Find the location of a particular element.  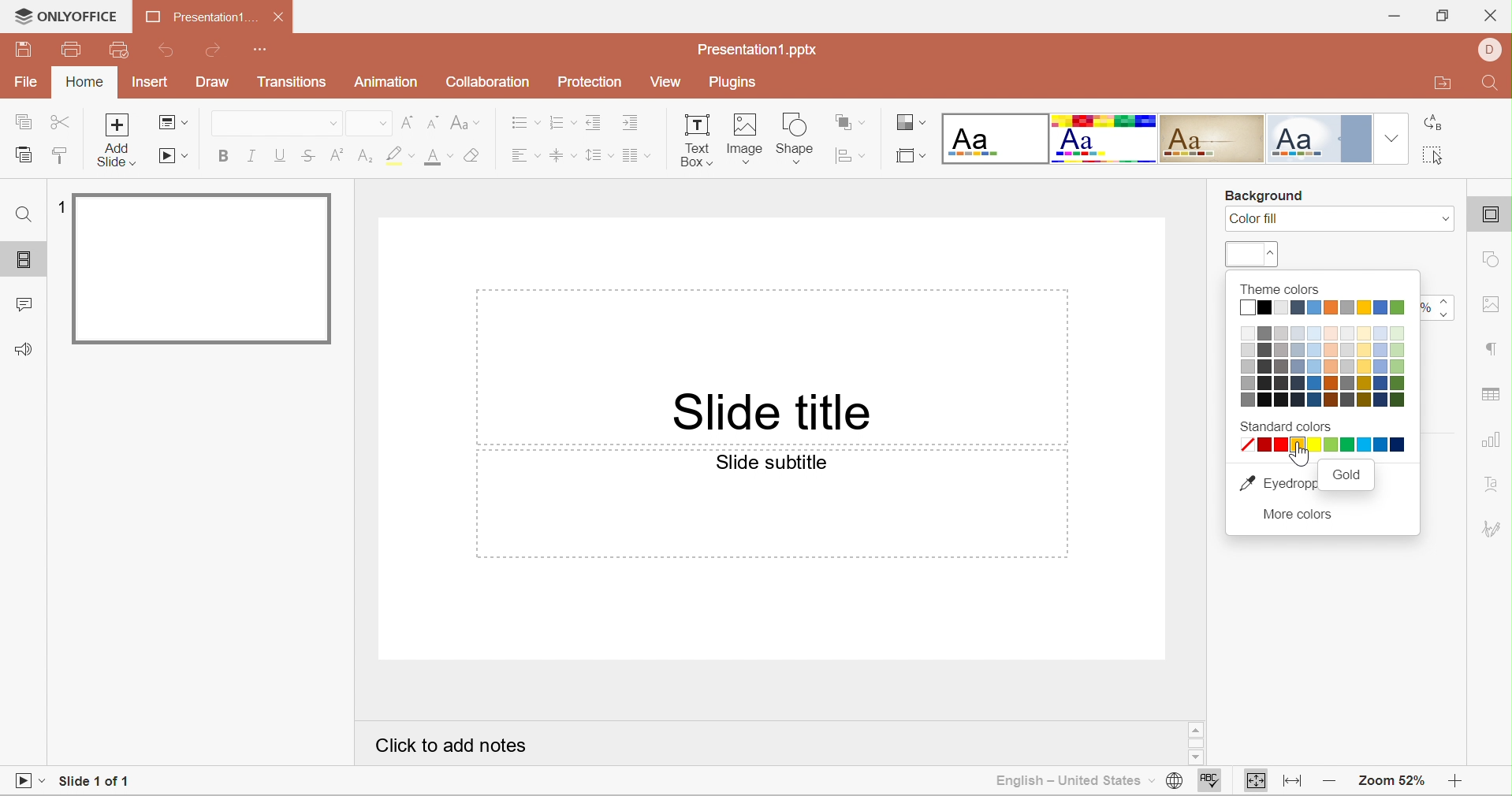

Scroll Up is located at coordinates (1458, 728).